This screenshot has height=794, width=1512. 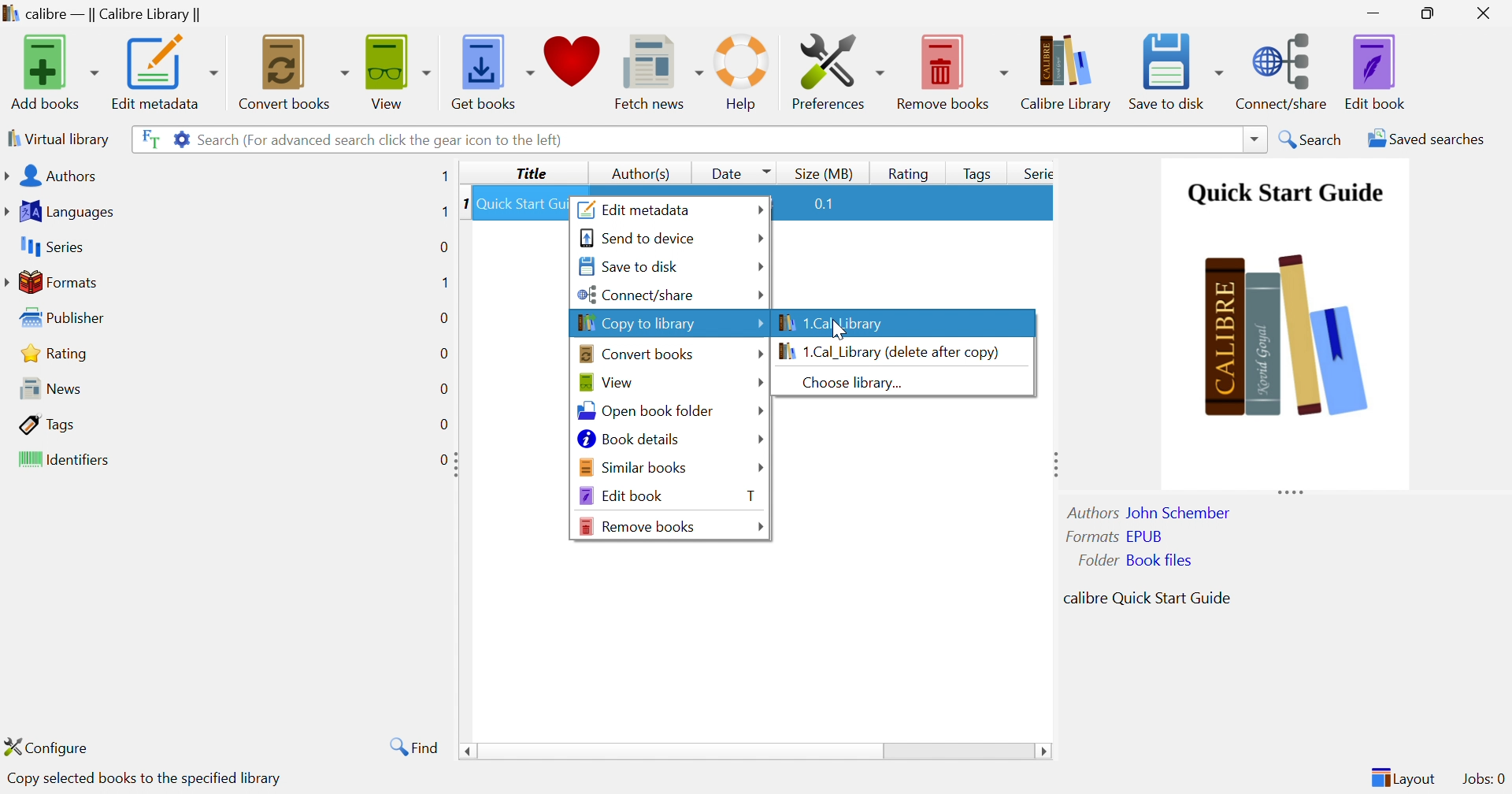 What do you see at coordinates (1423, 139) in the screenshot?
I see `Saved searches` at bounding box center [1423, 139].